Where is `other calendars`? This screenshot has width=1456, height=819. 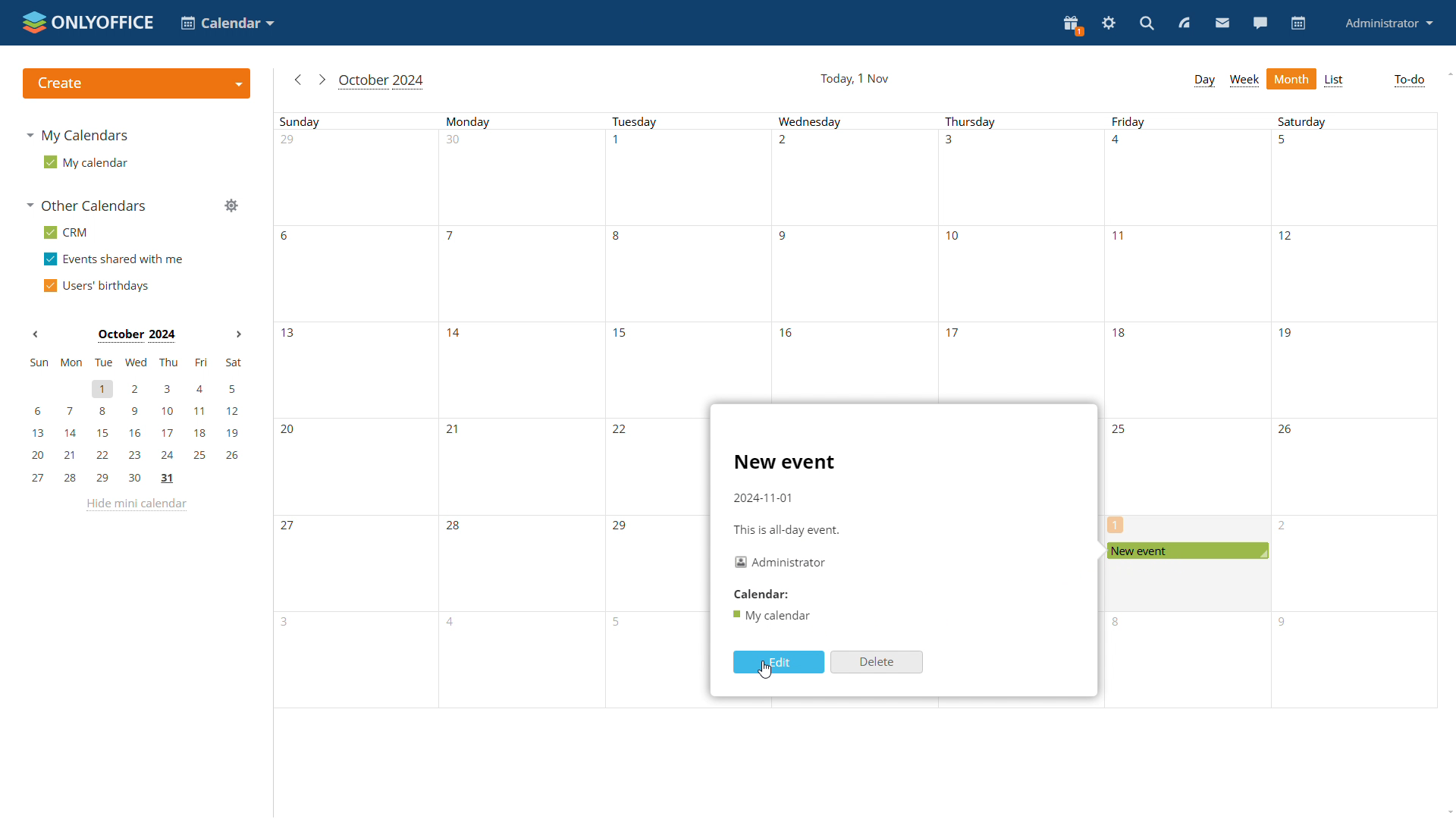
other calendars is located at coordinates (88, 206).